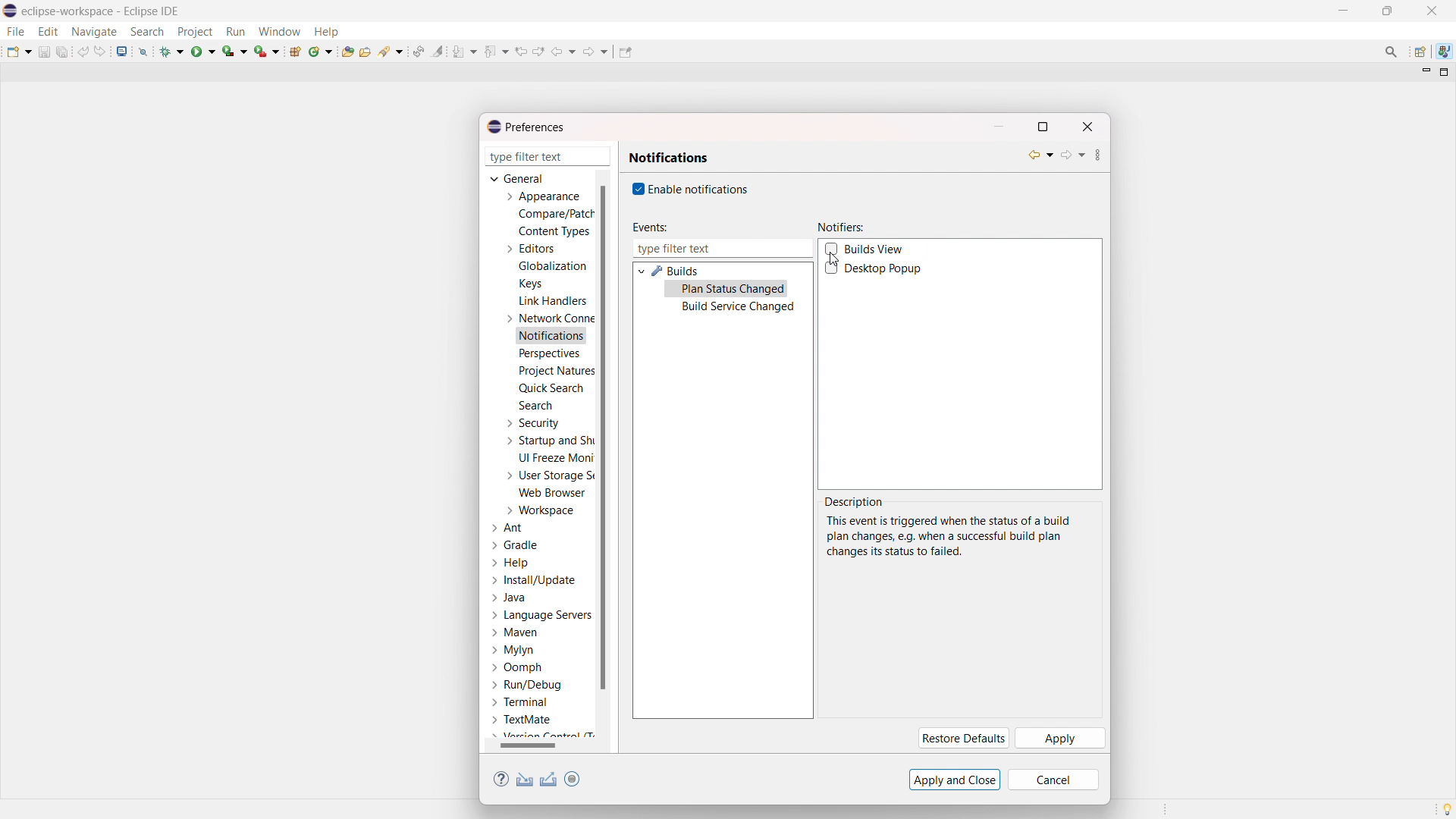 The image size is (1456, 819). Describe the element at coordinates (496, 51) in the screenshot. I see `previous annotation` at that location.